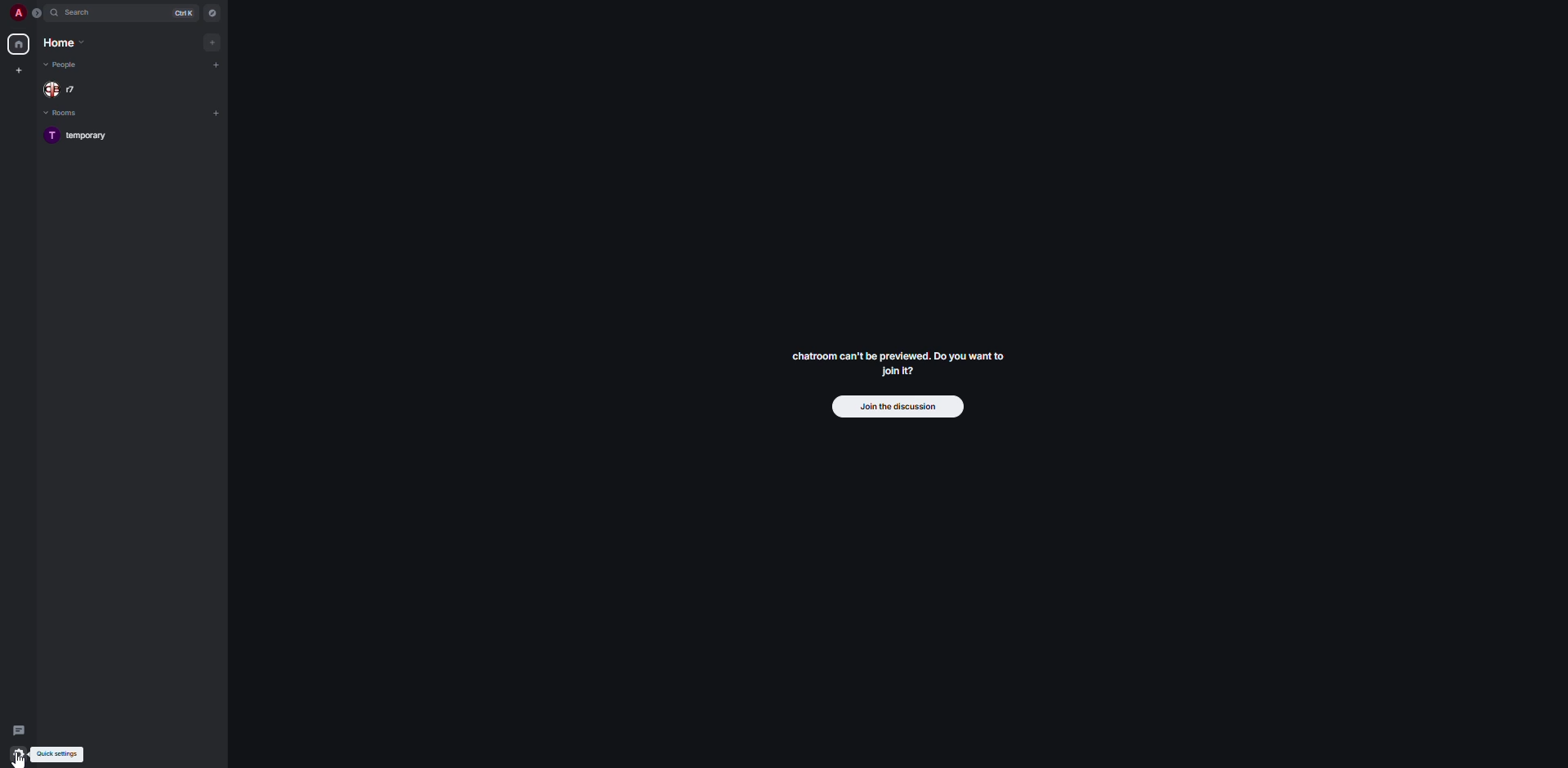 The image size is (1568, 768). I want to click on profile, so click(15, 12).